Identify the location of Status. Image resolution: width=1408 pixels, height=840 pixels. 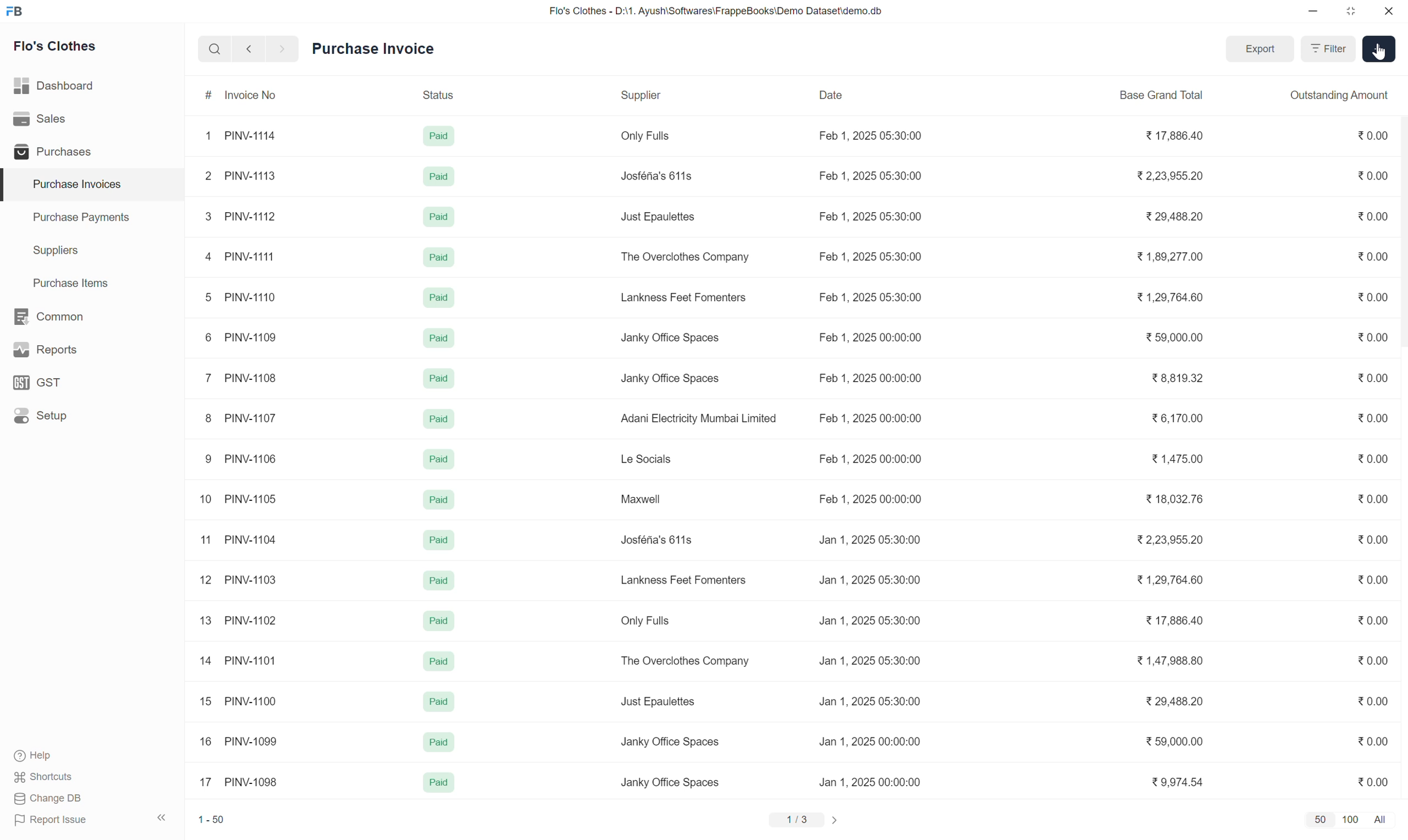
(455, 94).